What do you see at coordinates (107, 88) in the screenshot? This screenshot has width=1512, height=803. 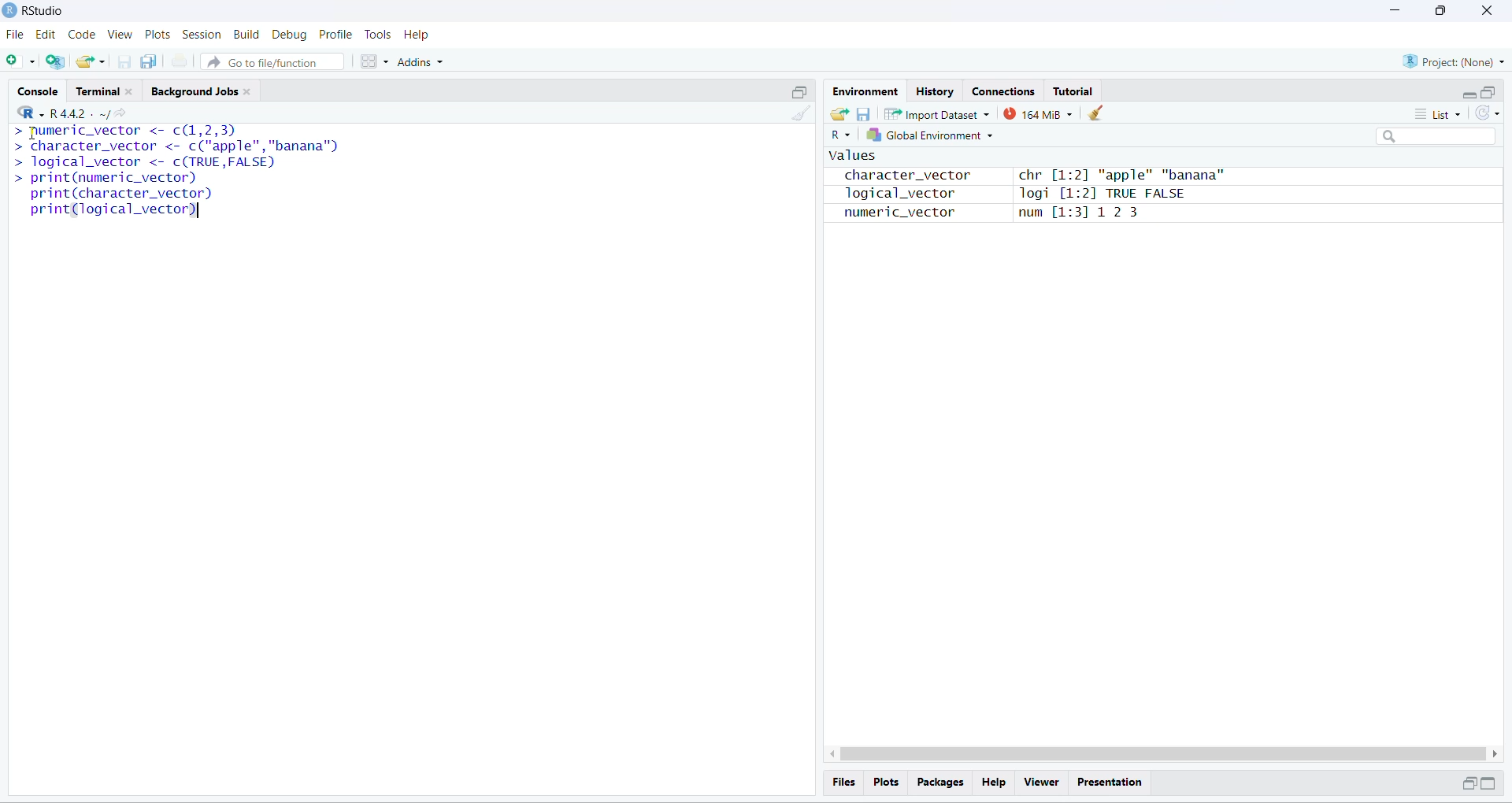 I see `Terminal` at bounding box center [107, 88].